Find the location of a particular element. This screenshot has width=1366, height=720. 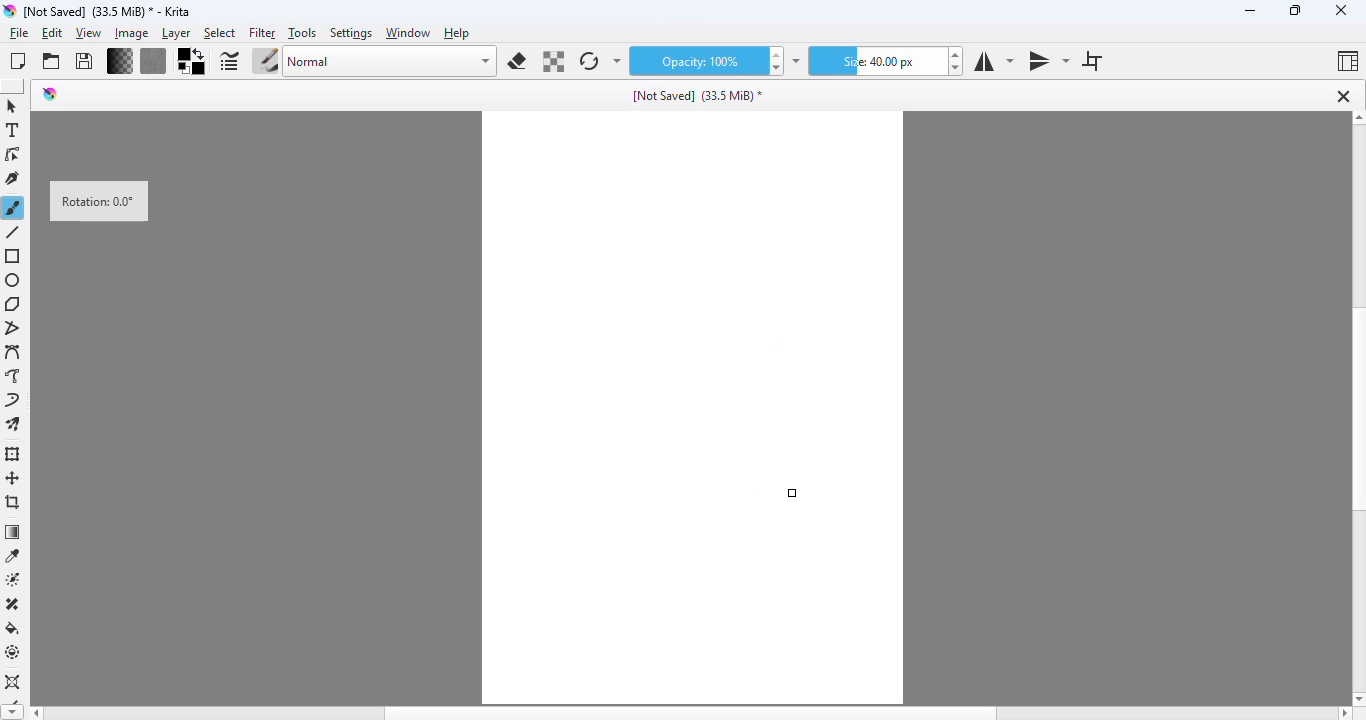

polyline tool is located at coordinates (13, 330).